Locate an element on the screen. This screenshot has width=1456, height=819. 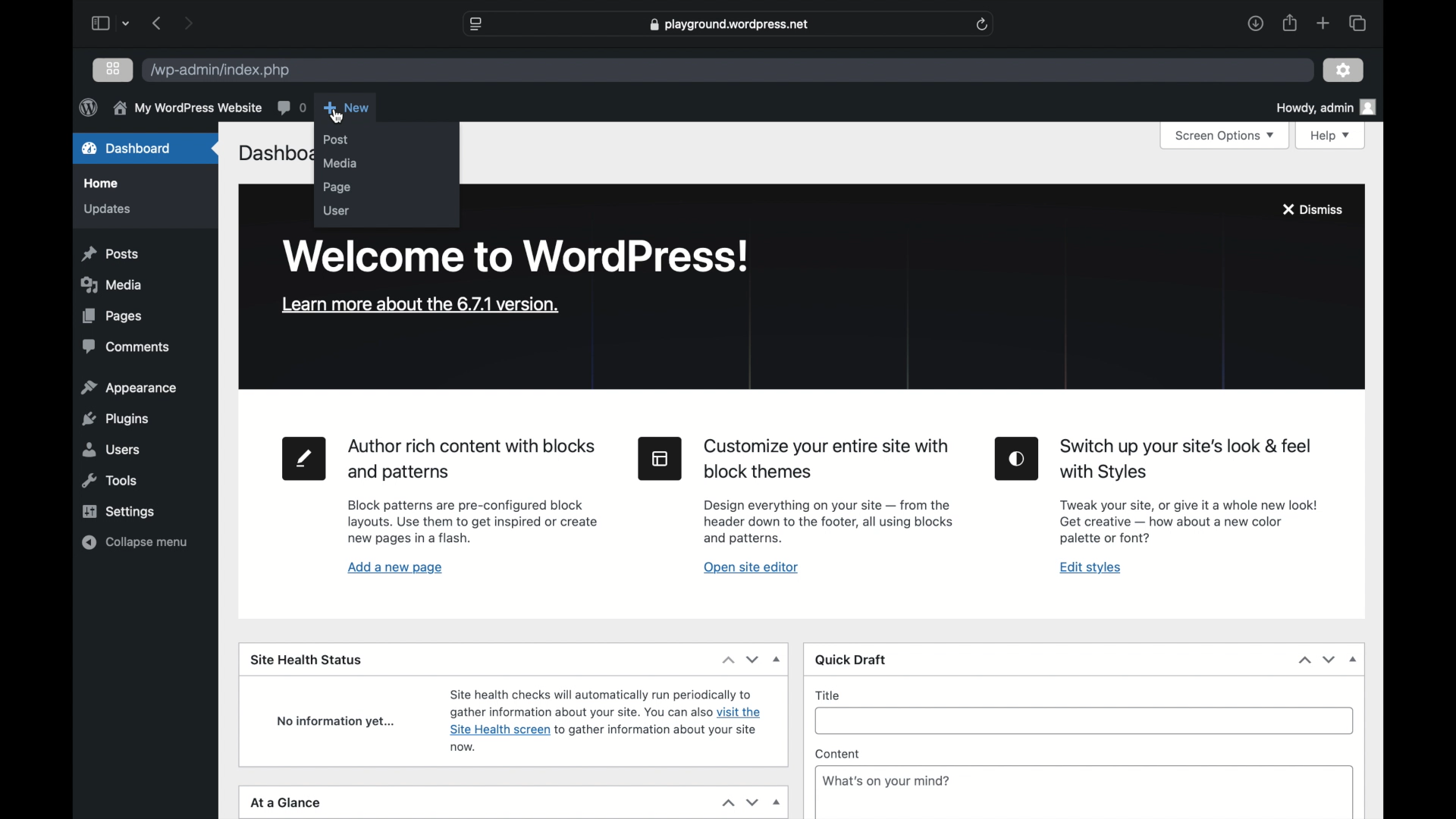
grid is located at coordinates (115, 69).